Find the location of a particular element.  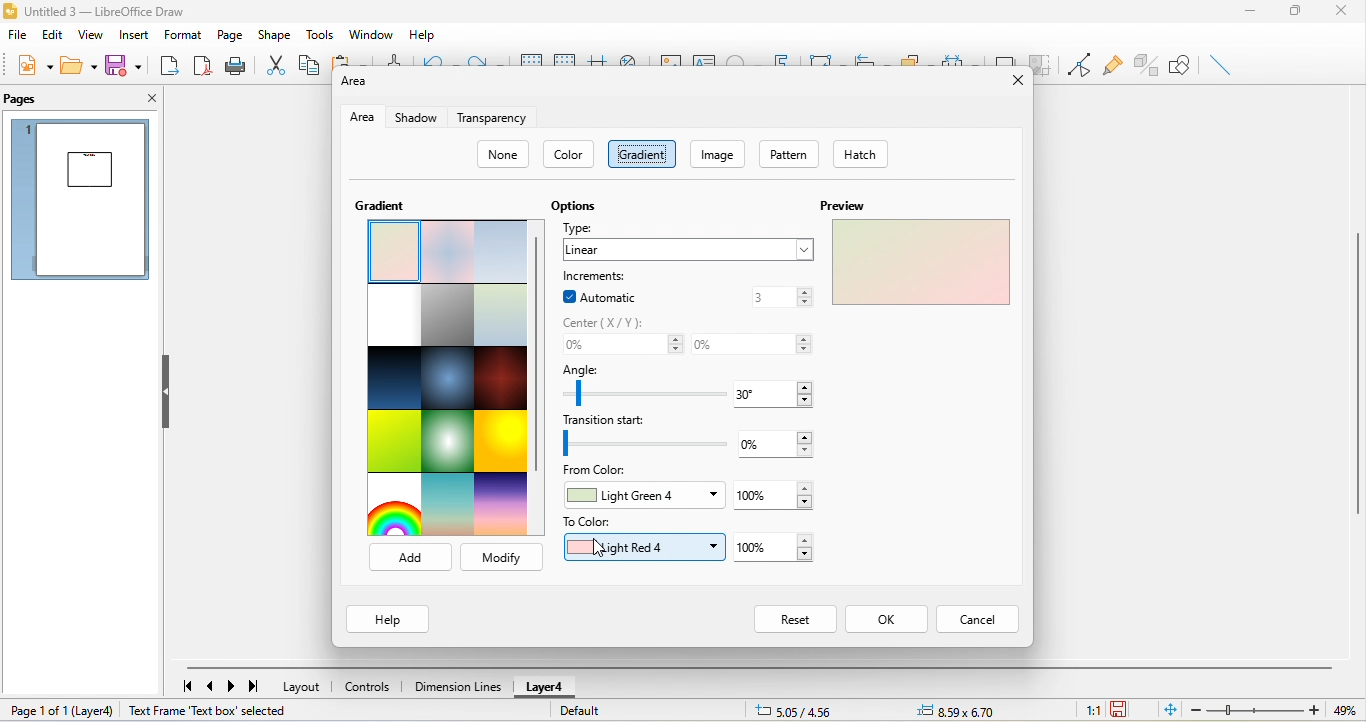

midnight is located at coordinates (393, 381).